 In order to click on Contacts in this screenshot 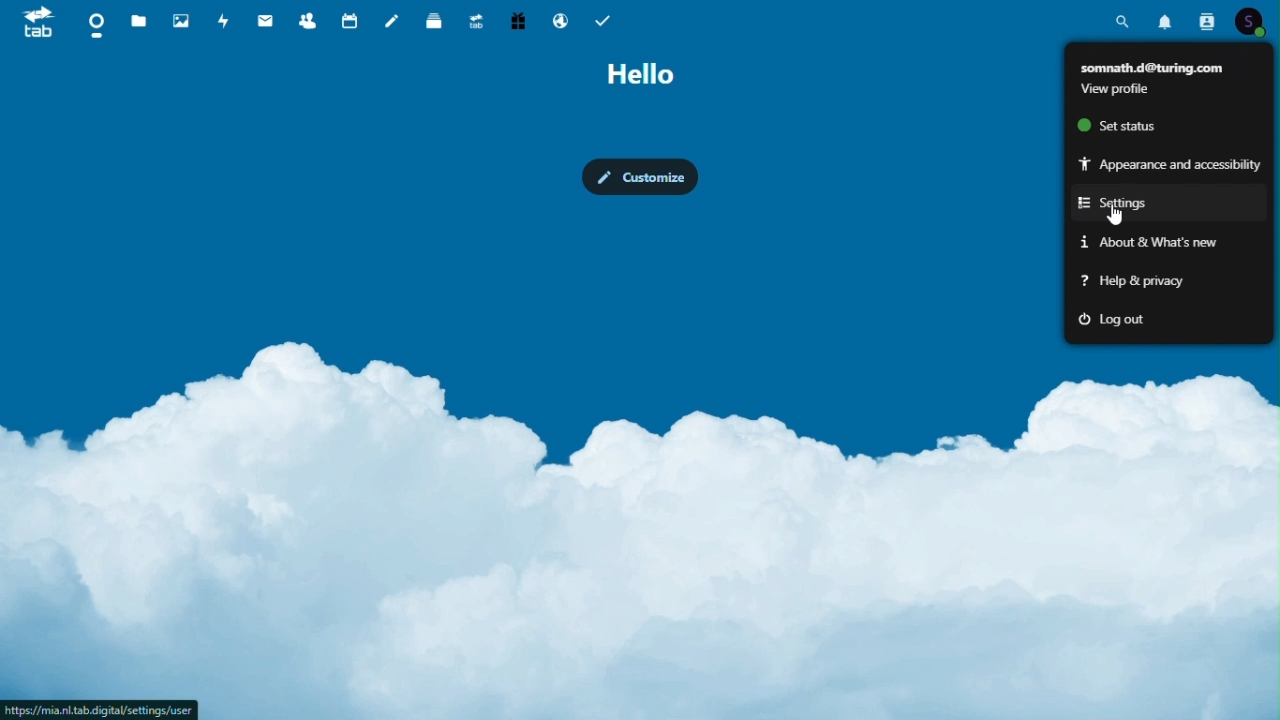, I will do `click(1206, 19)`.